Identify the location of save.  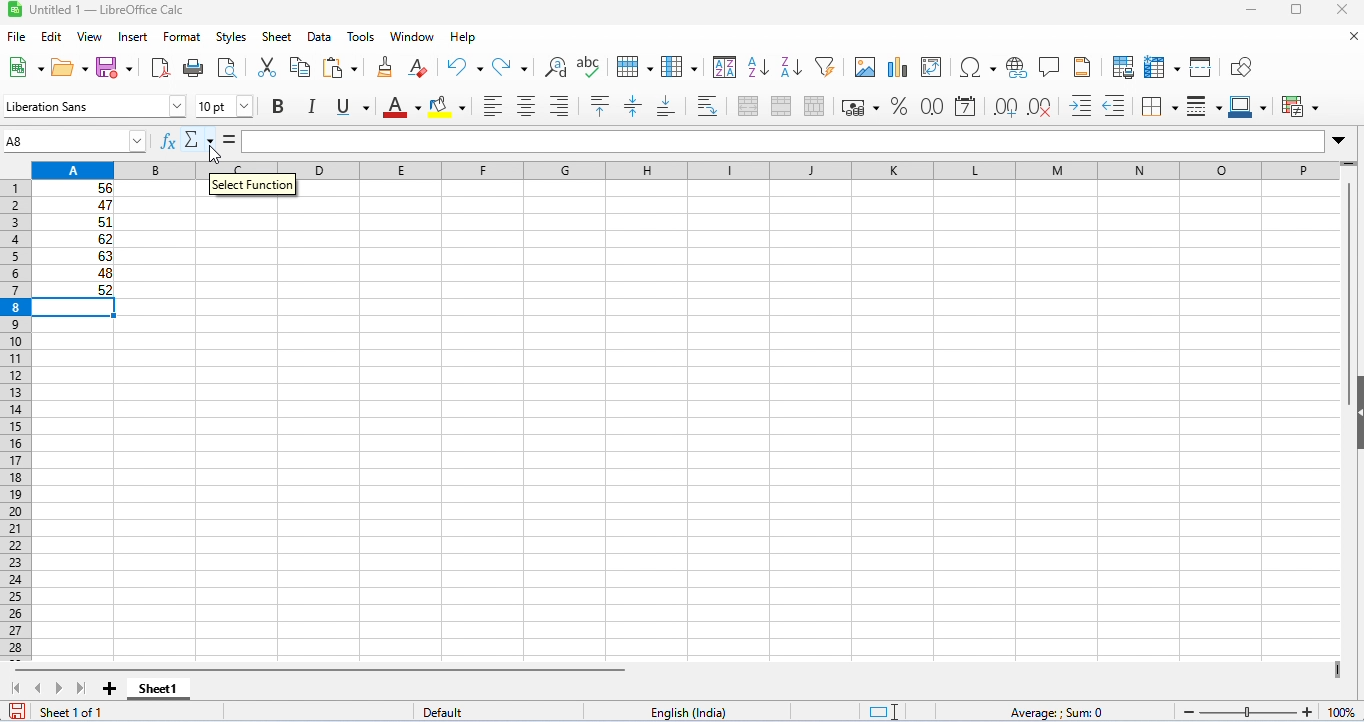
(13, 714).